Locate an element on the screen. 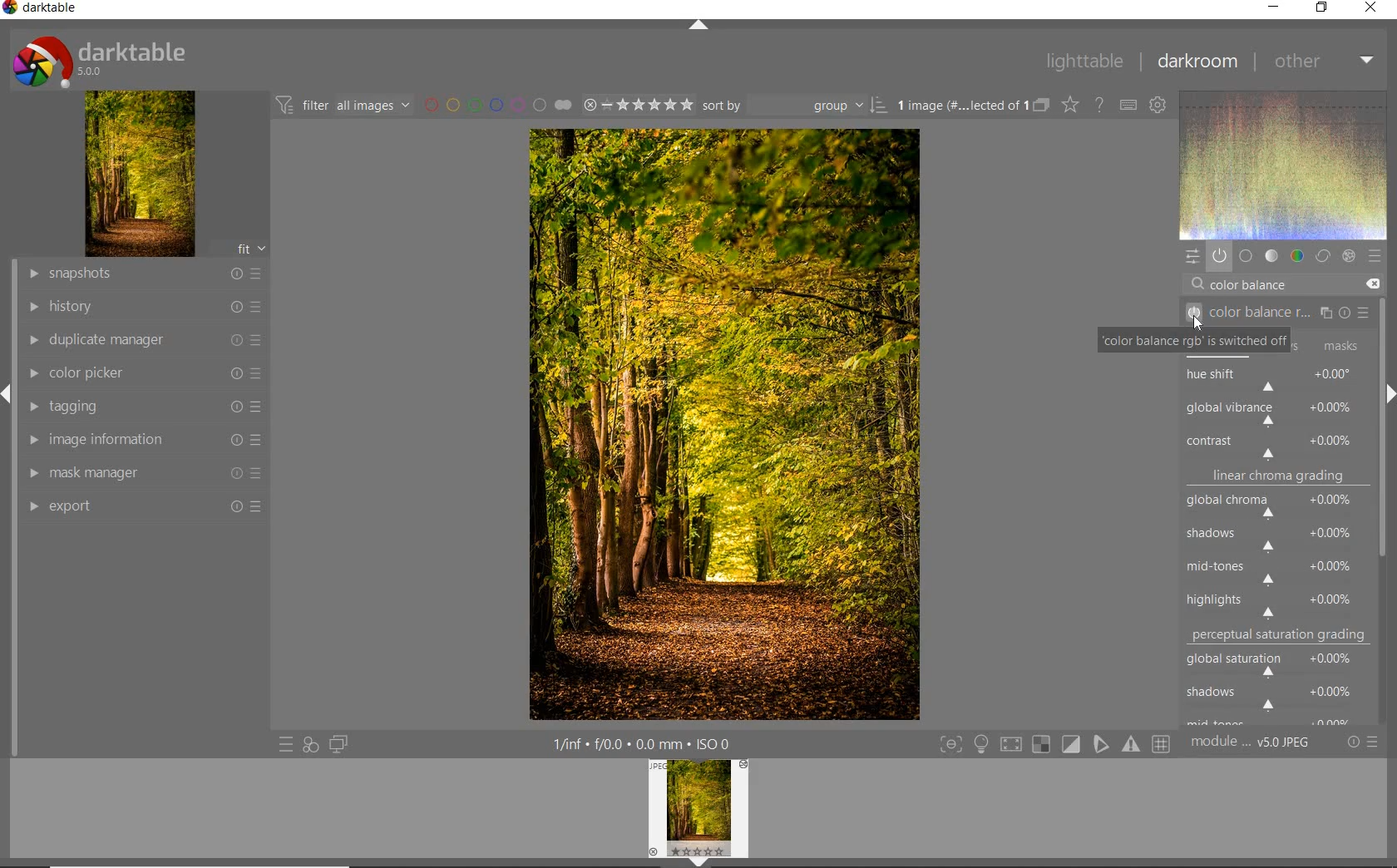  image information is located at coordinates (141, 439).